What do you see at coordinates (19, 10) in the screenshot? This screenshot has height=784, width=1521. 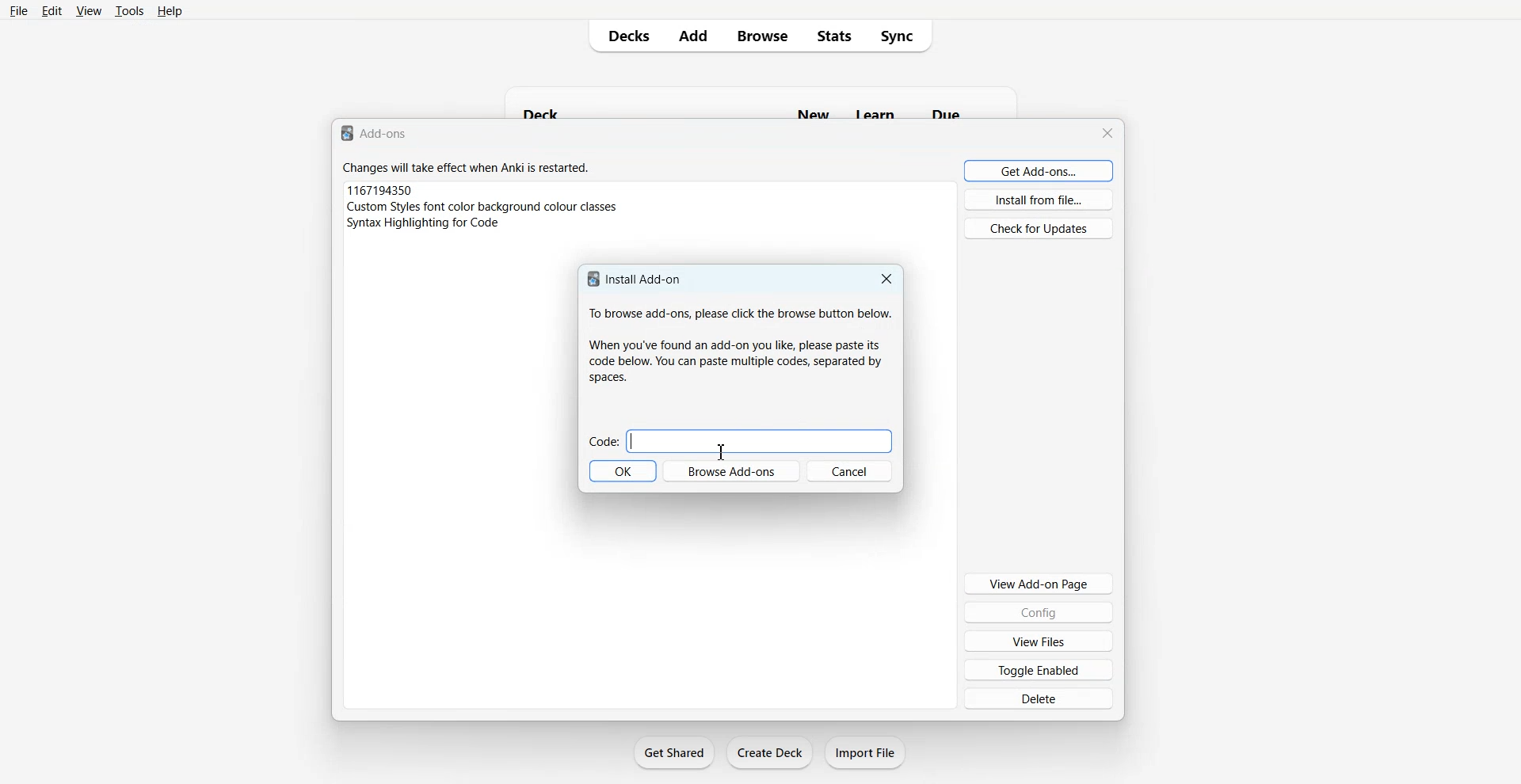 I see `File` at bounding box center [19, 10].